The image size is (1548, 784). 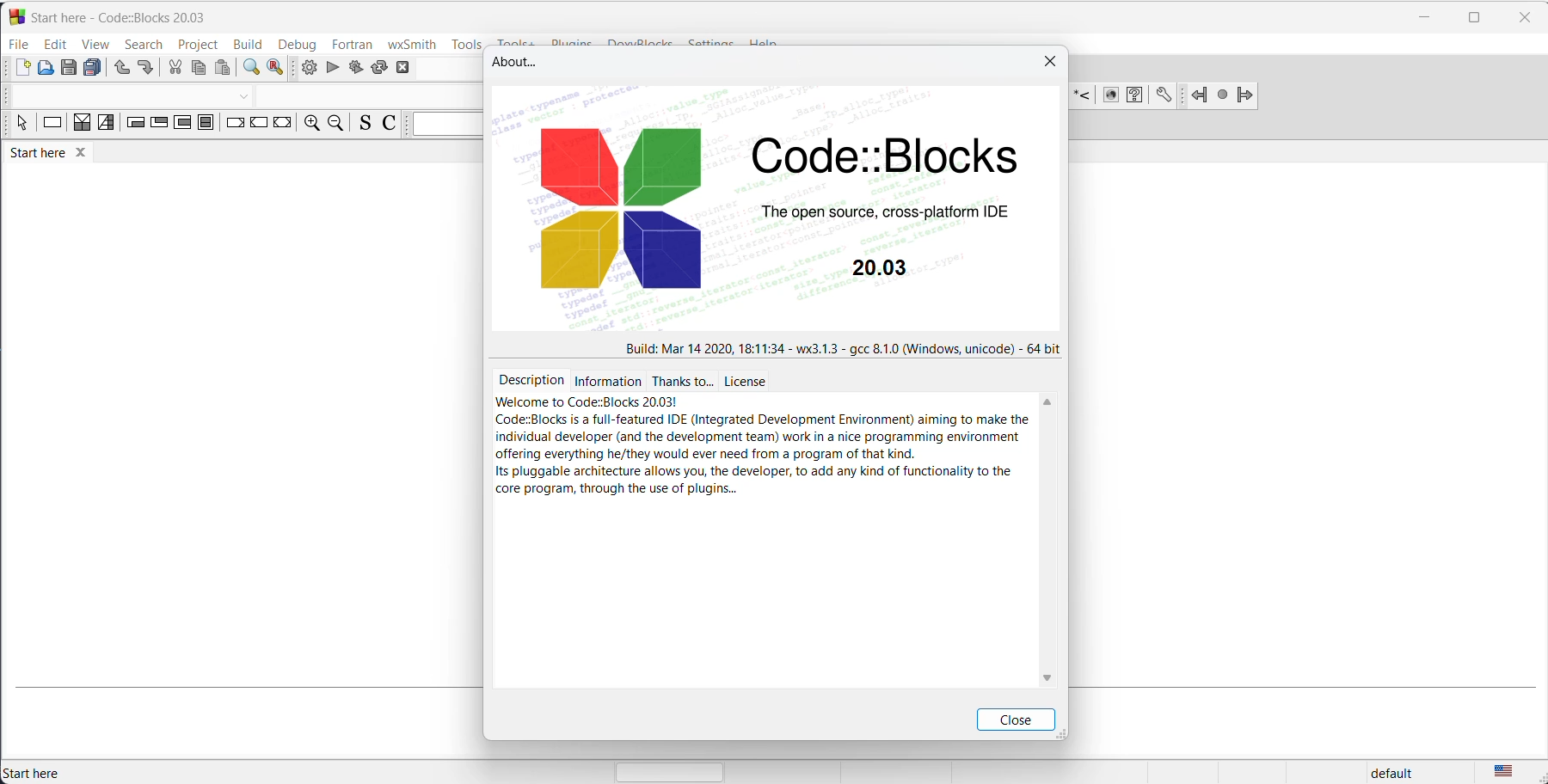 I want to click on replace, so click(x=276, y=68).